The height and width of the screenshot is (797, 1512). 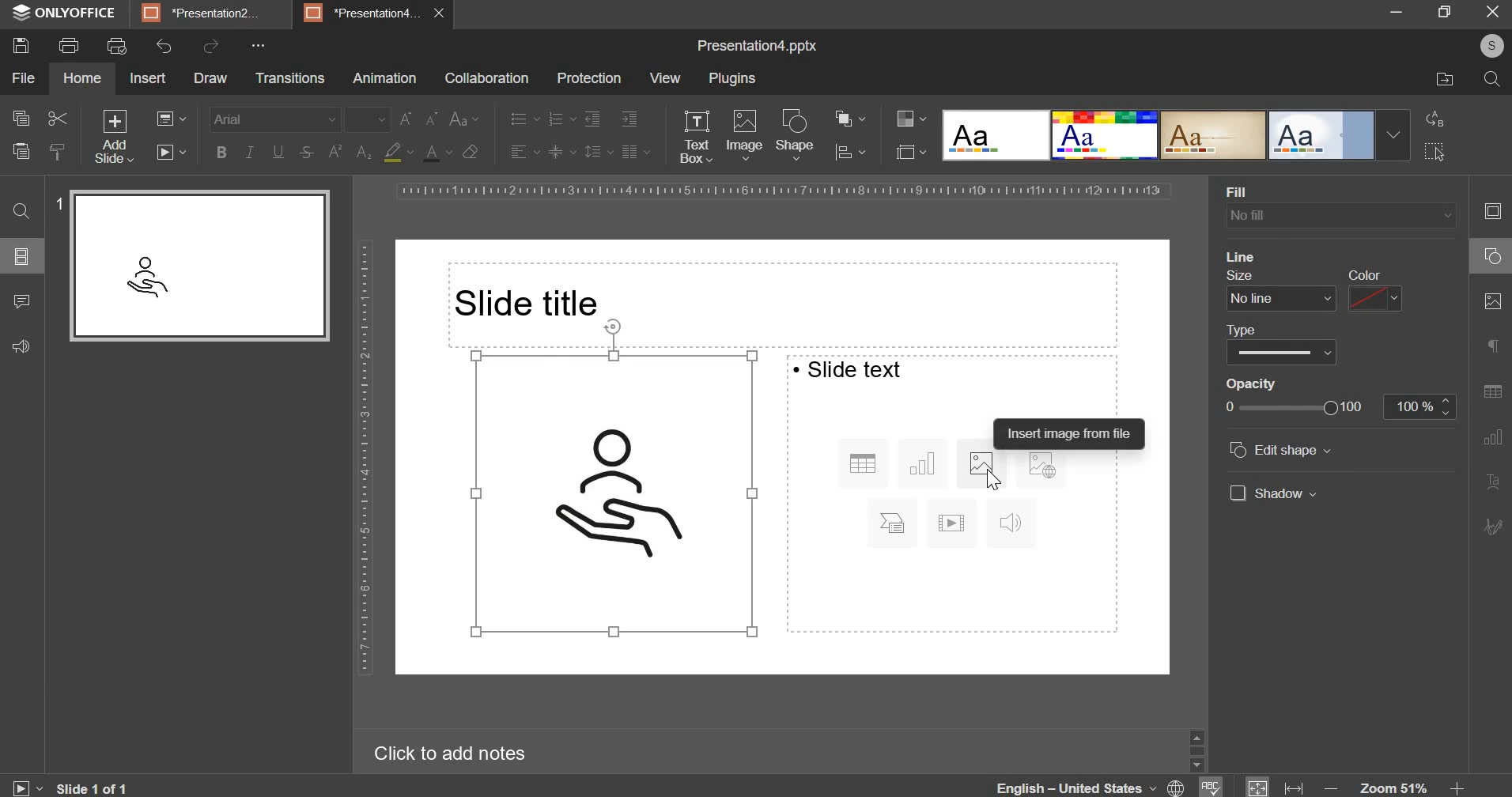 What do you see at coordinates (22, 46) in the screenshot?
I see `save` at bounding box center [22, 46].